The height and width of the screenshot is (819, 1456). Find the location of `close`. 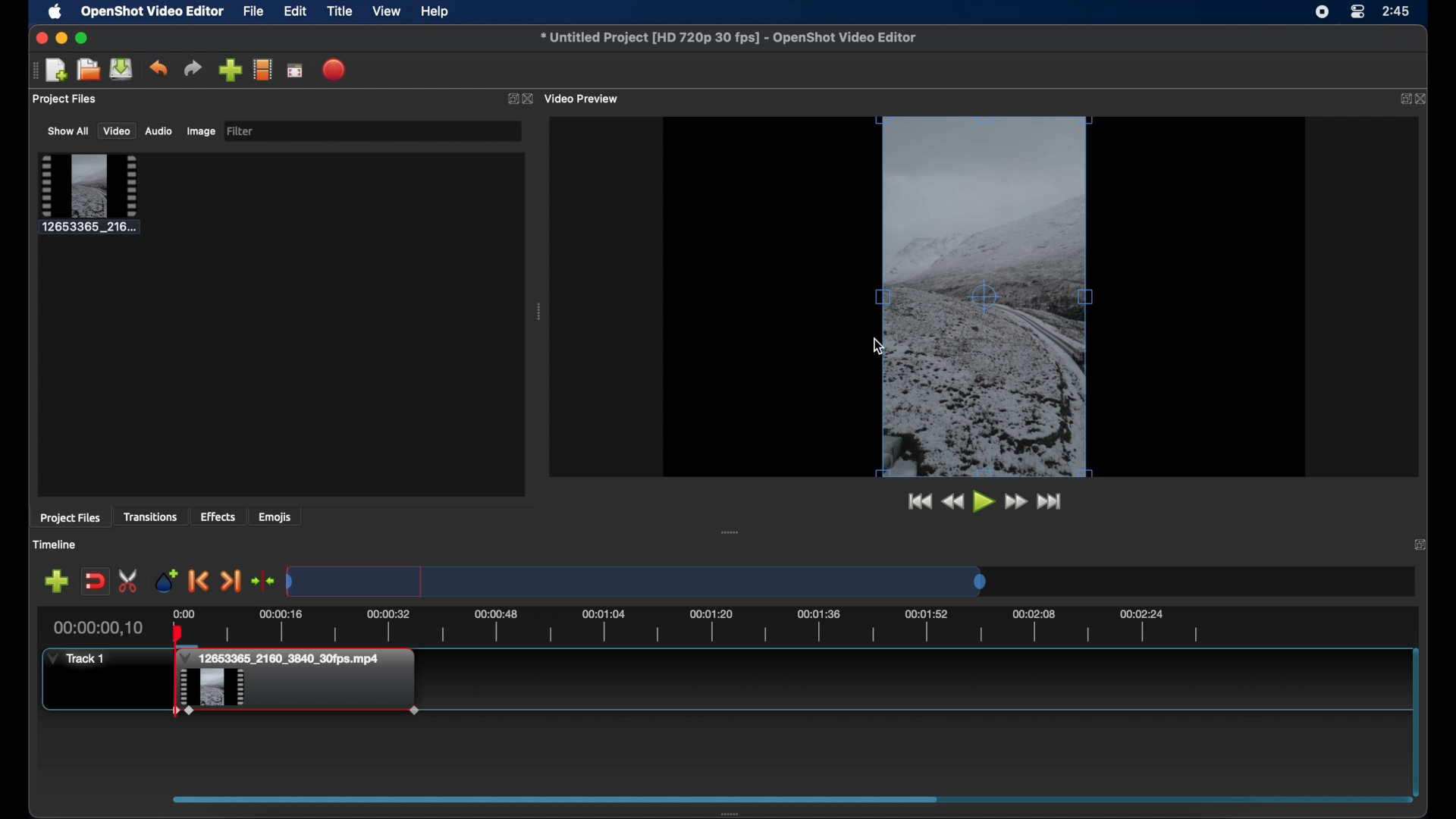

close is located at coordinates (528, 99).